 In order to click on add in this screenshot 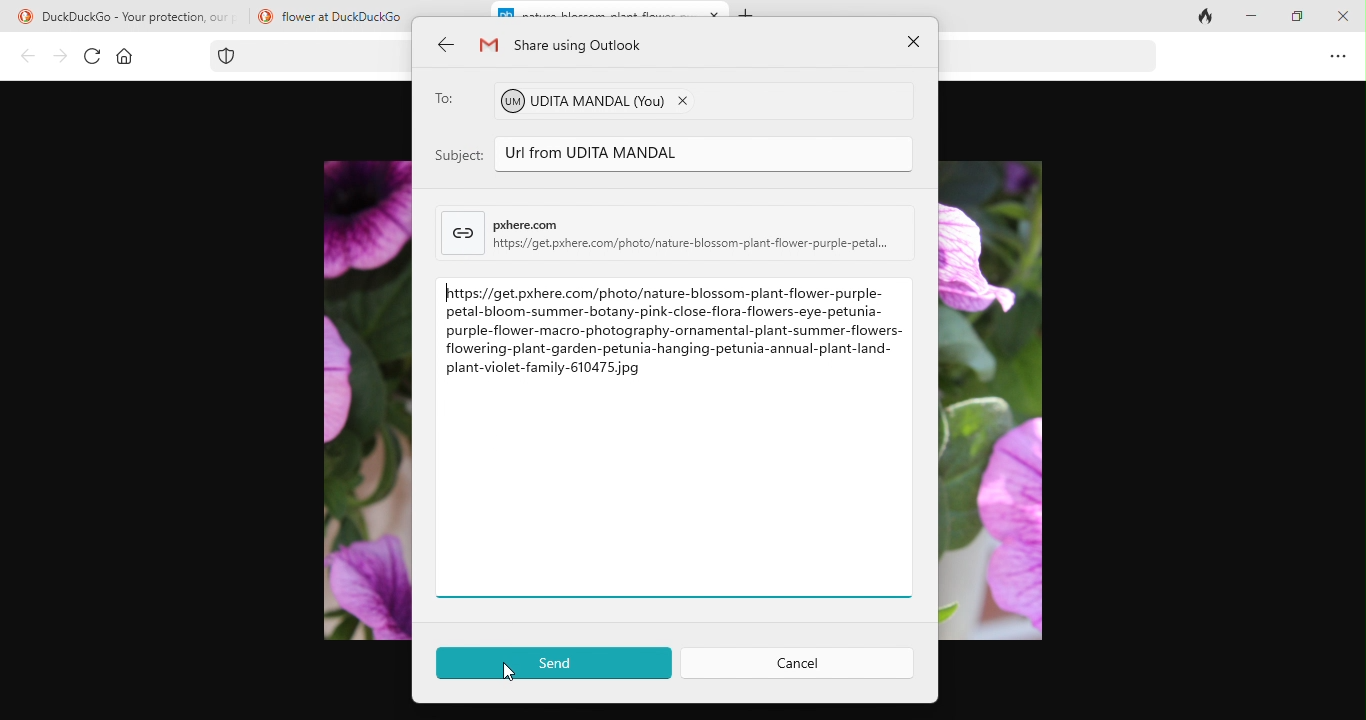, I will do `click(750, 10)`.